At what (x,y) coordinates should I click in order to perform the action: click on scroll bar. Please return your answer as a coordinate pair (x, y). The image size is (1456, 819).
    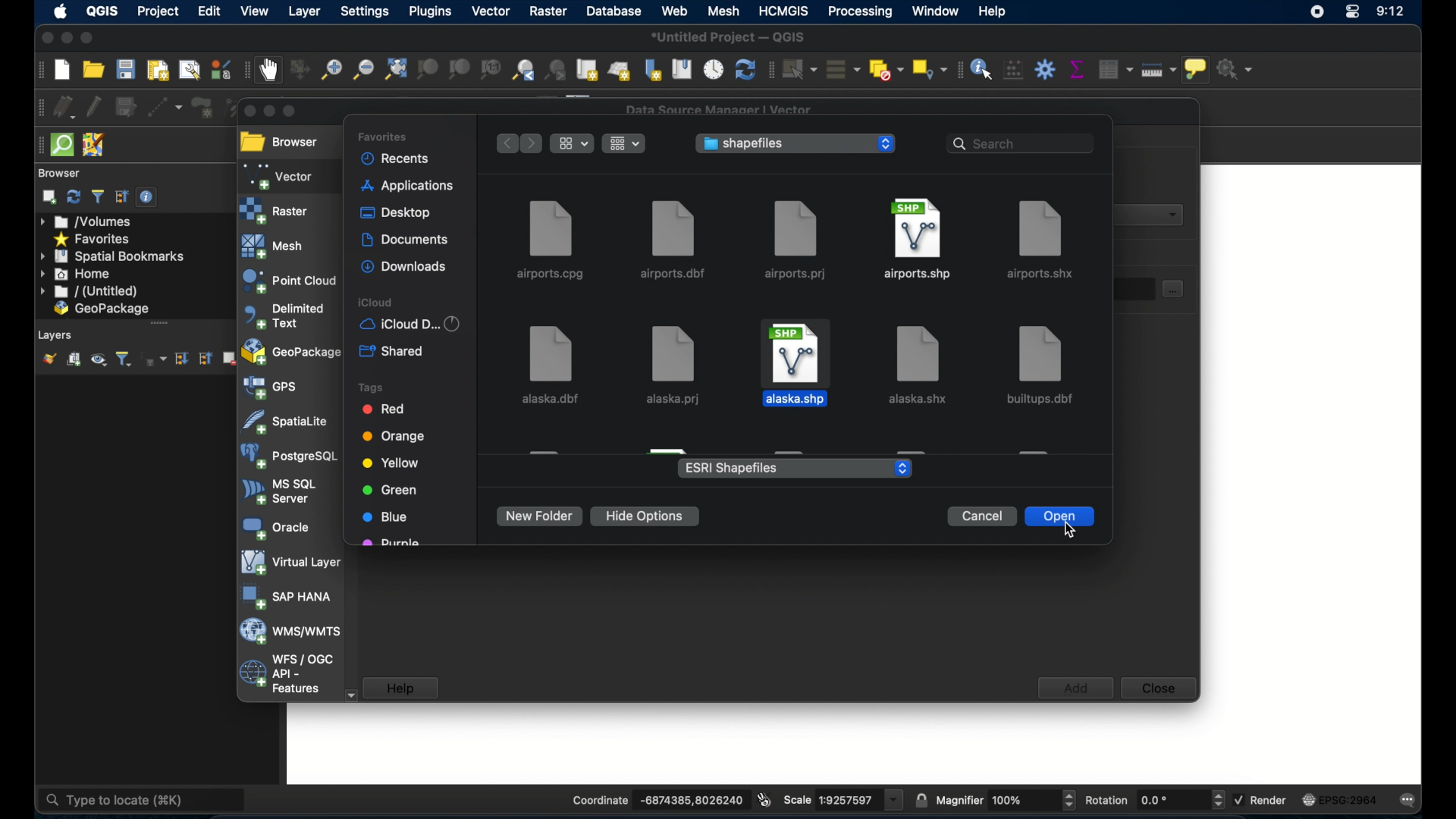
    Looking at the image, I should click on (155, 324).